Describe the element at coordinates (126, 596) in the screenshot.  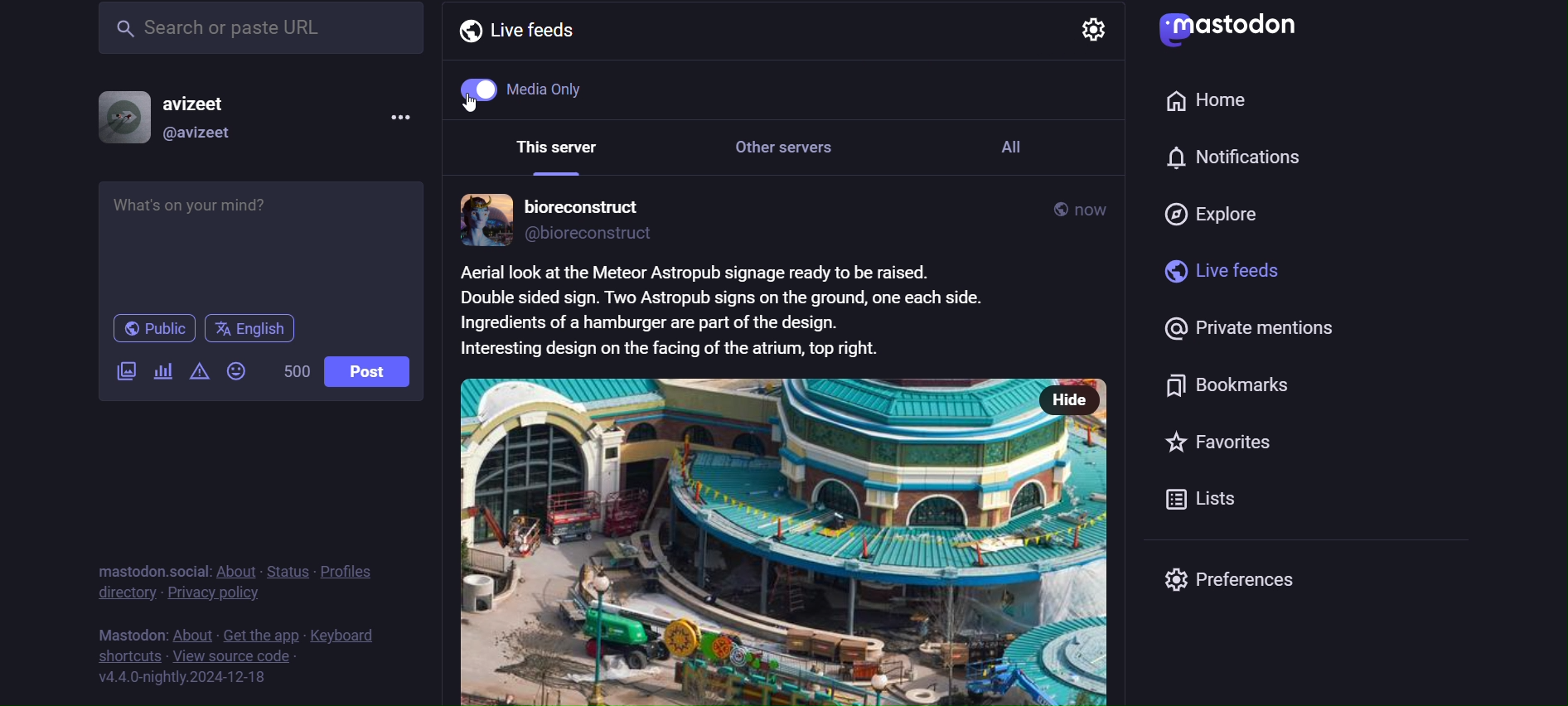
I see `directory` at that location.